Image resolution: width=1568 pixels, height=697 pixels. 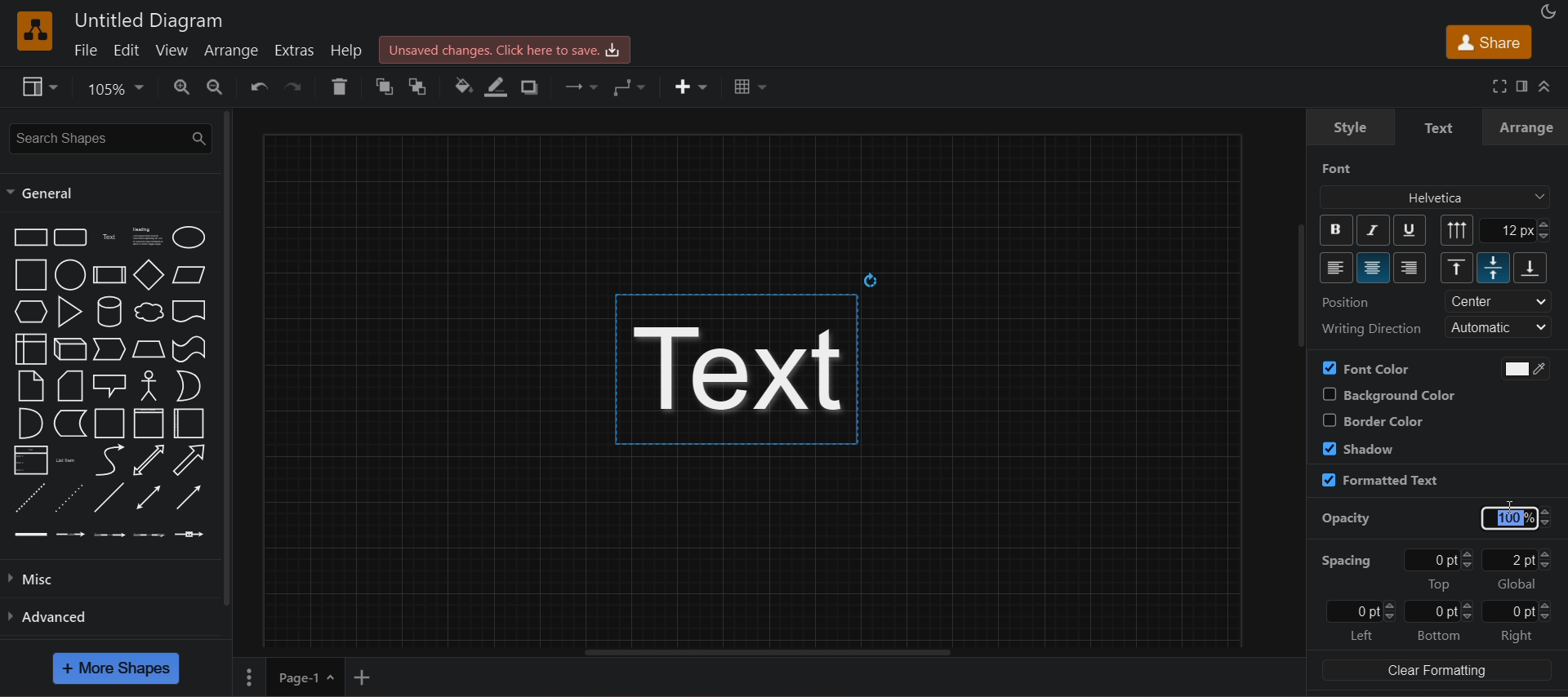 What do you see at coordinates (110, 349) in the screenshot?
I see `step` at bounding box center [110, 349].